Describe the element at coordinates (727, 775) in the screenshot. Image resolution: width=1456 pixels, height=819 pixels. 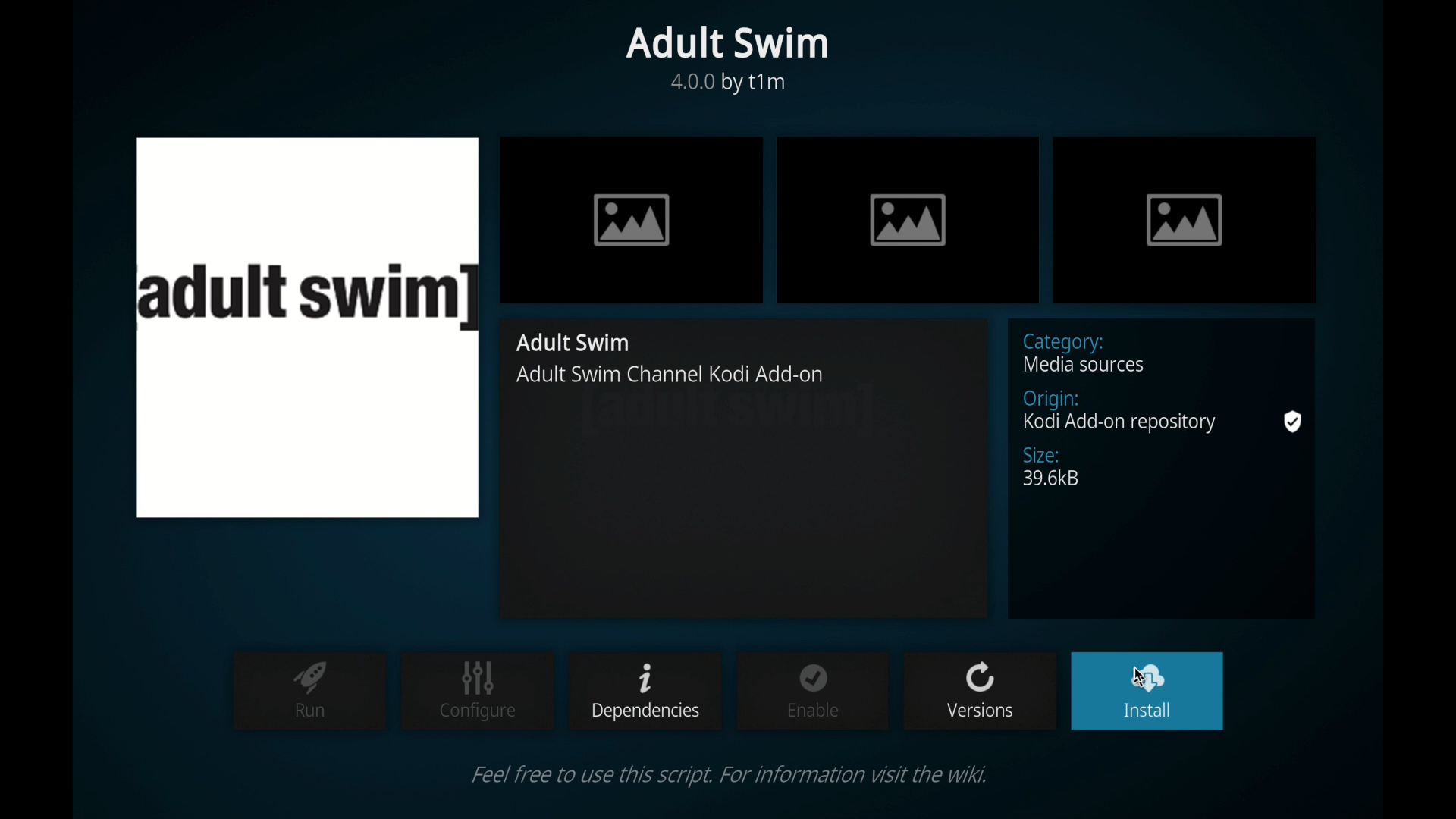
I see `info` at that location.